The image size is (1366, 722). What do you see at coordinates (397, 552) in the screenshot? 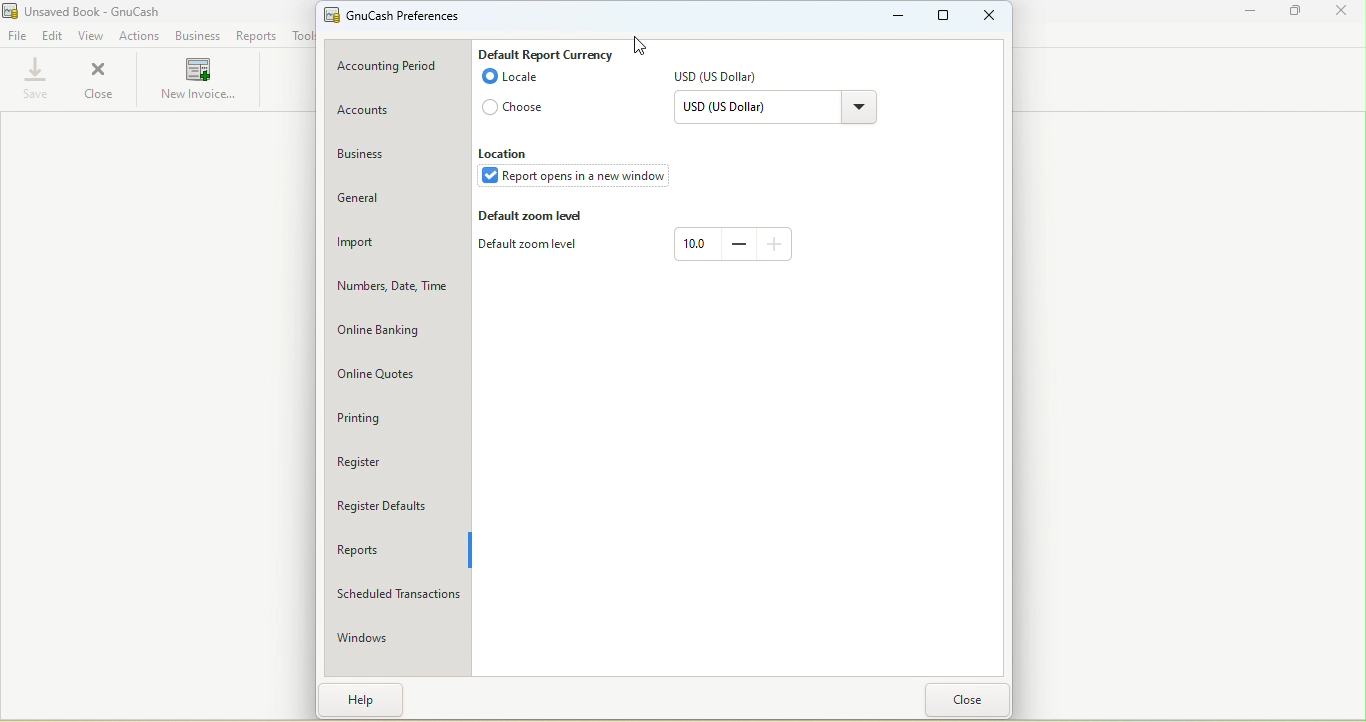
I see `Reports` at bounding box center [397, 552].